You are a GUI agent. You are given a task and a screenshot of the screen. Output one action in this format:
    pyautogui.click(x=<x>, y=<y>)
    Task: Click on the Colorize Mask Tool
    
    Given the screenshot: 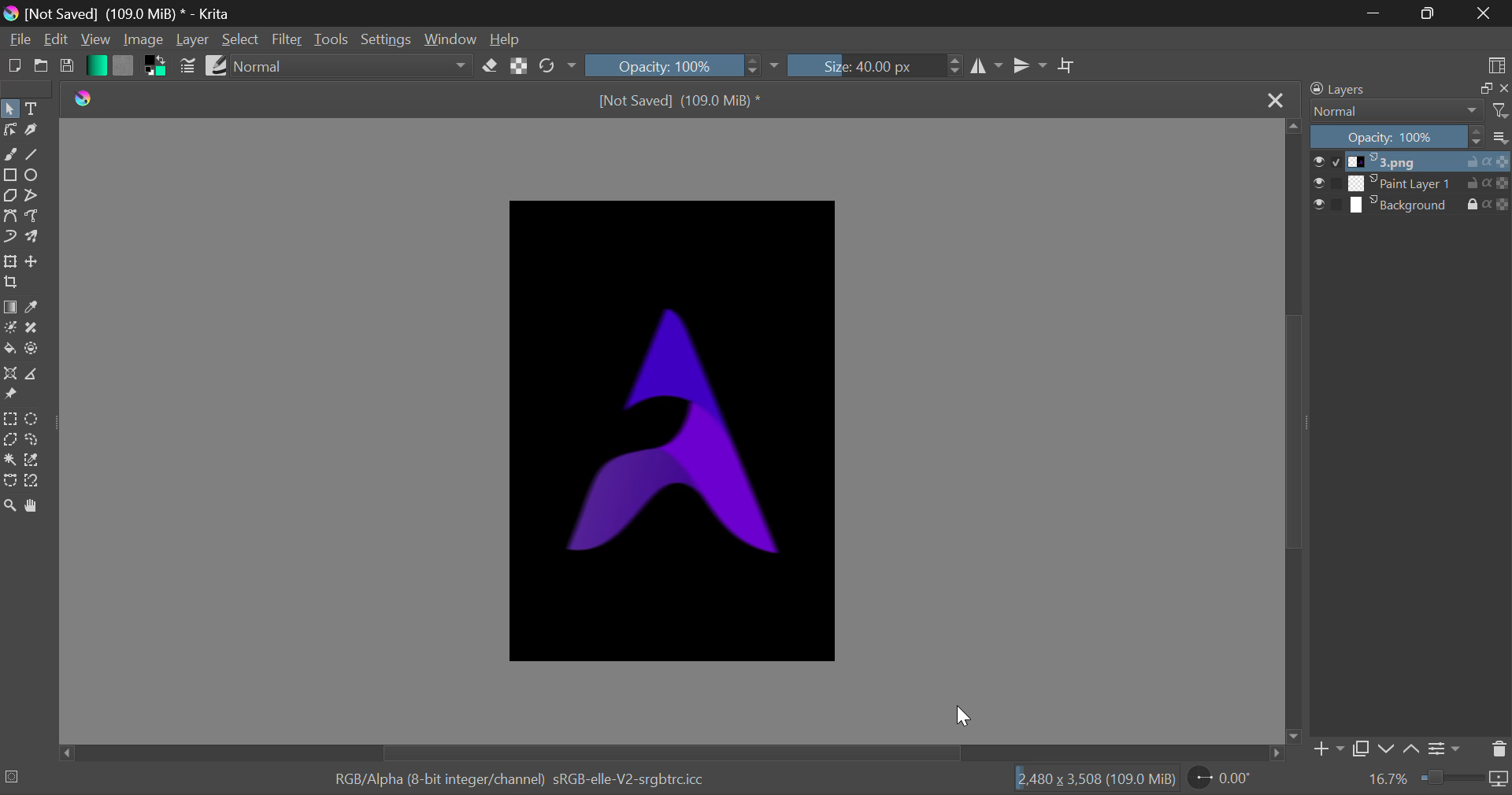 What is the action you would take?
    pyautogui.click(x=9, y=327)
    